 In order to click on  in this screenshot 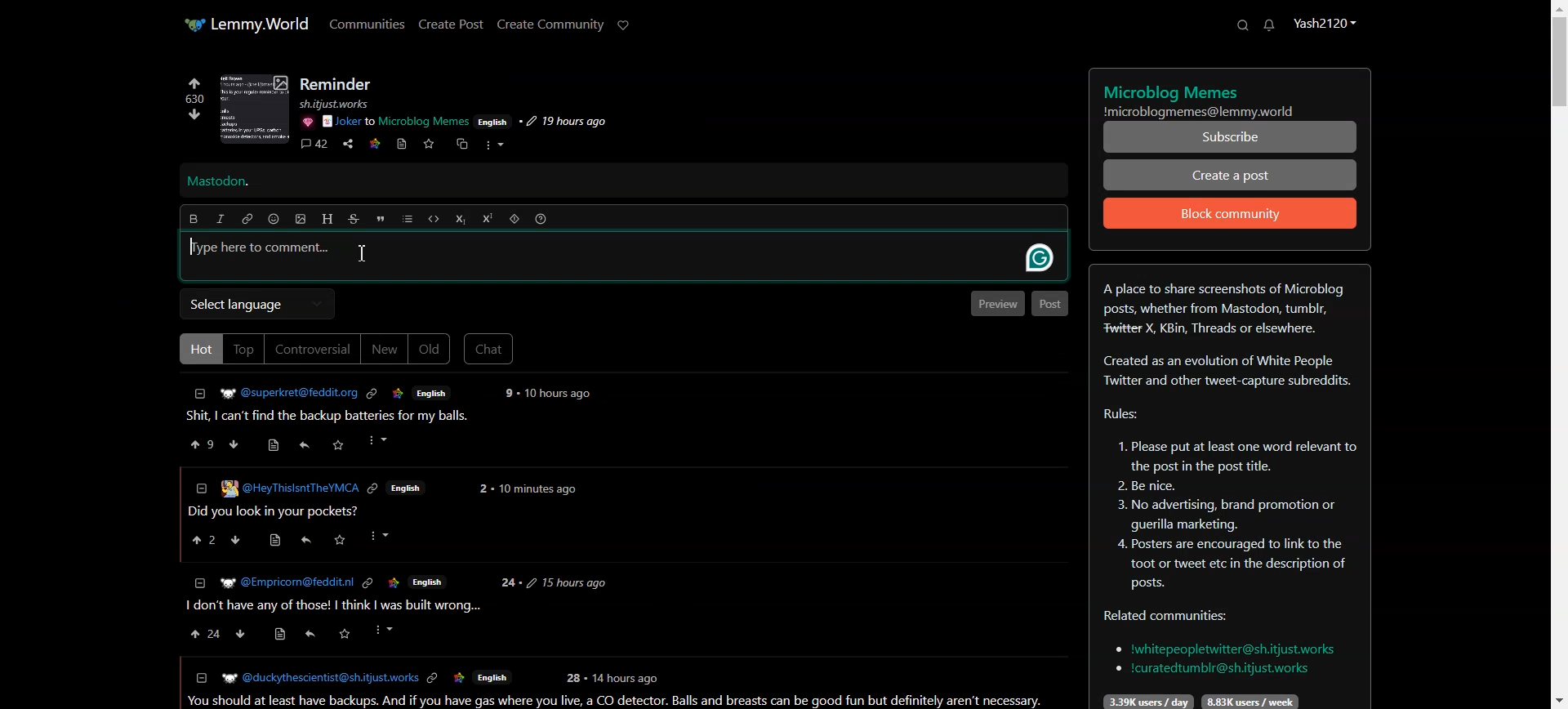, I will do `click(340, 444)`.